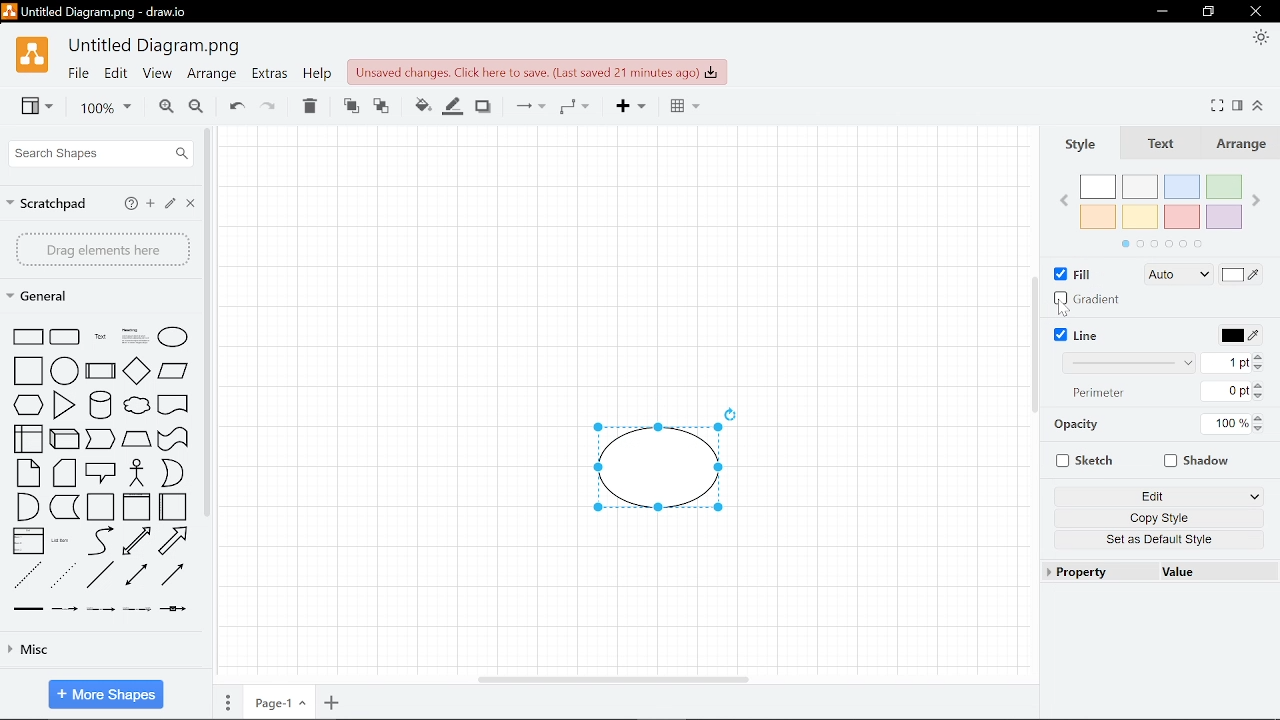  Describe the element at coordinates (1158, 517) in the screenshot. I see `Copy style` at that location.